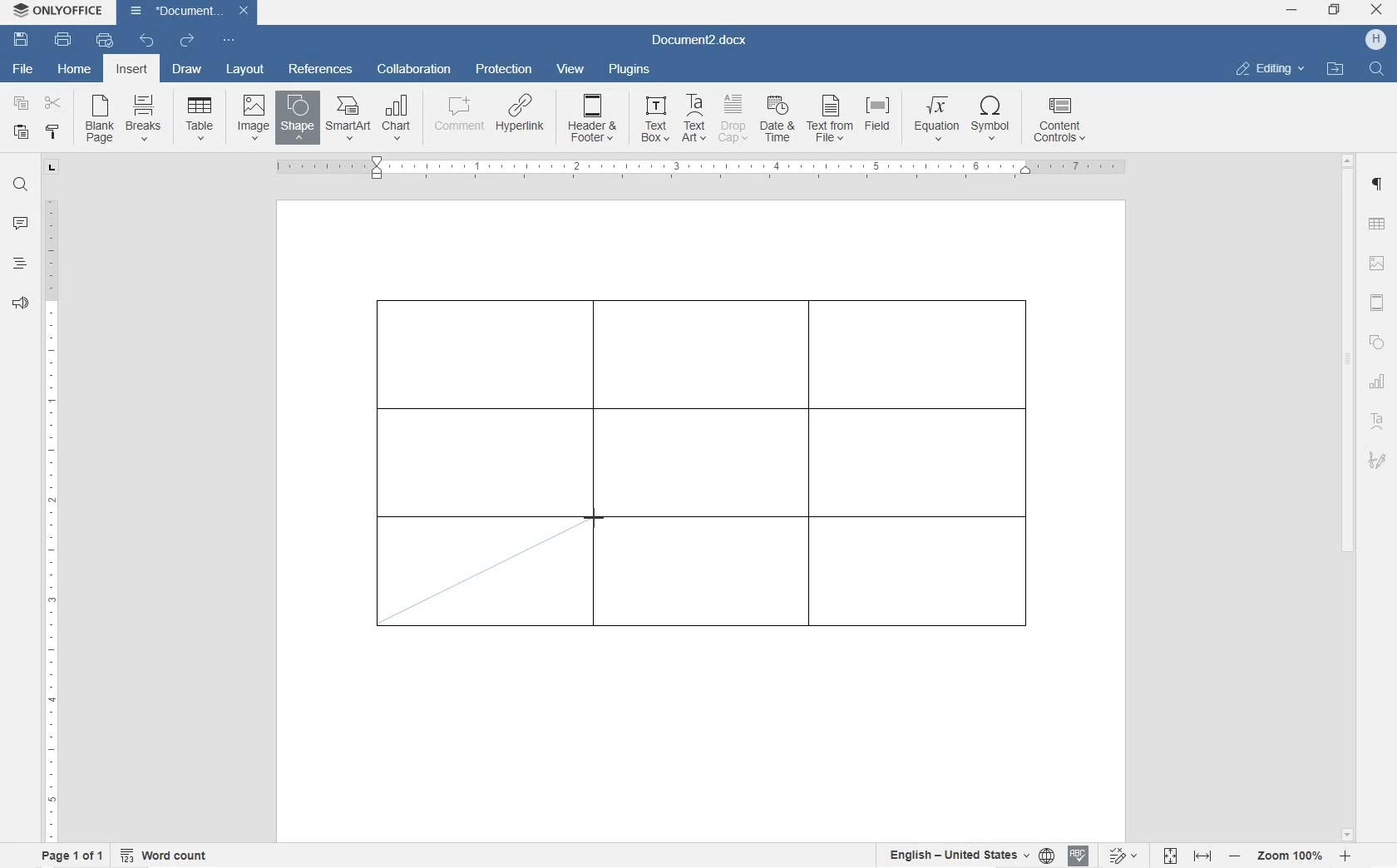 The image size is (1397, 868). Describe the element at coordinates (692, 120) in the screenshot. I see `TEXT ART` at that location.